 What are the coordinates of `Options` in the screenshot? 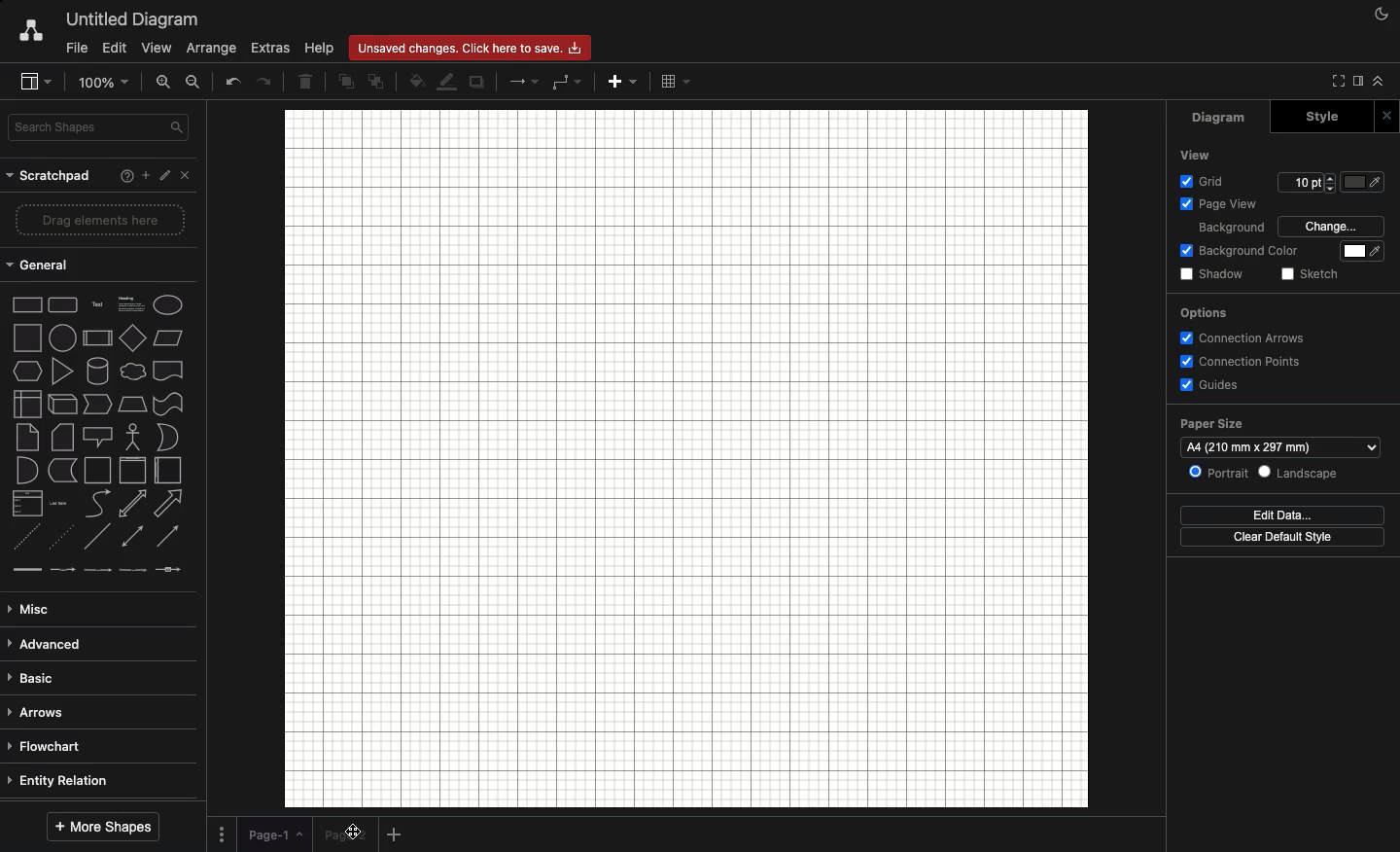 It's located at (226, 833).